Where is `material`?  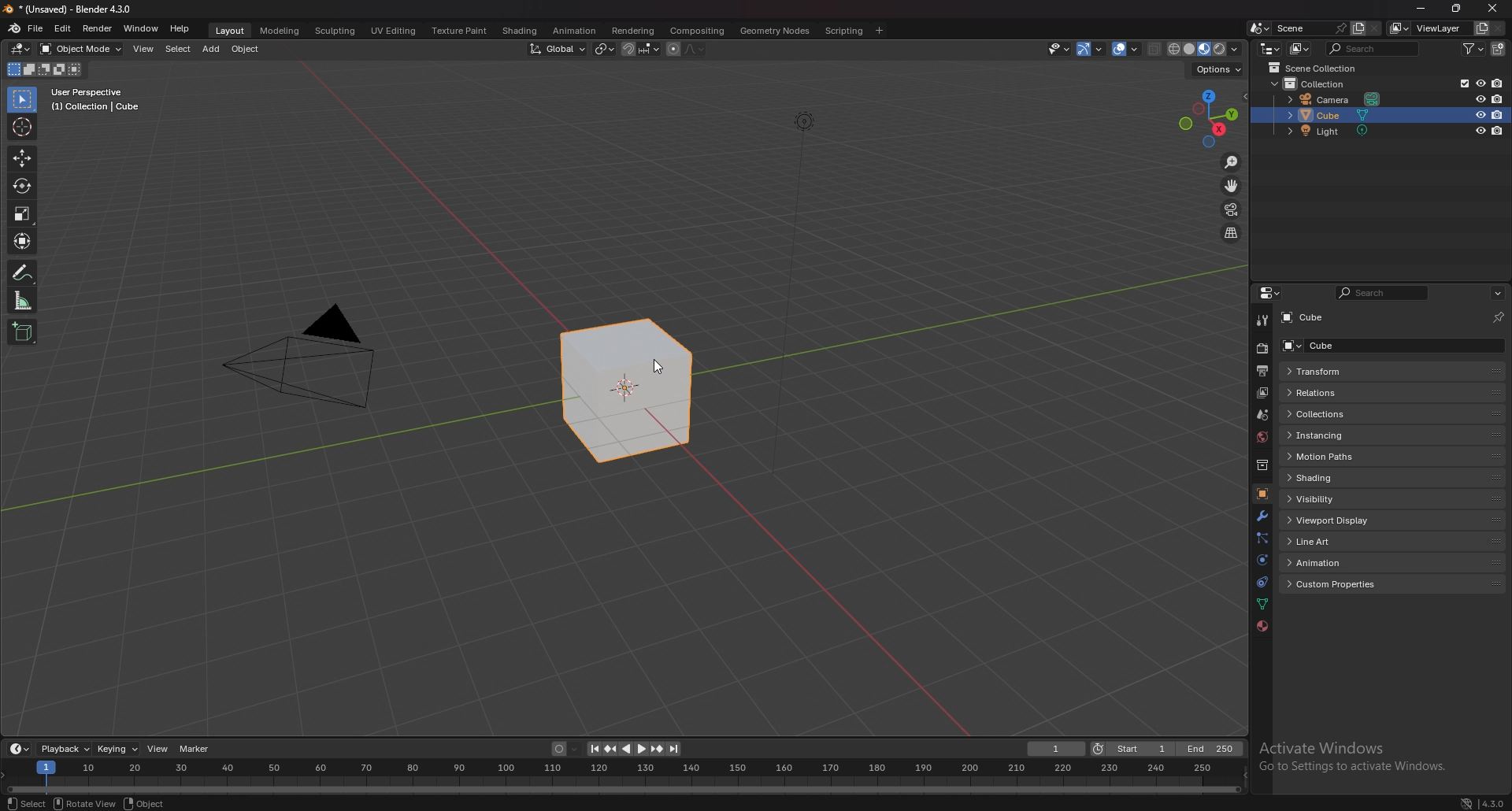
material is located at coordinates (1260, 627).